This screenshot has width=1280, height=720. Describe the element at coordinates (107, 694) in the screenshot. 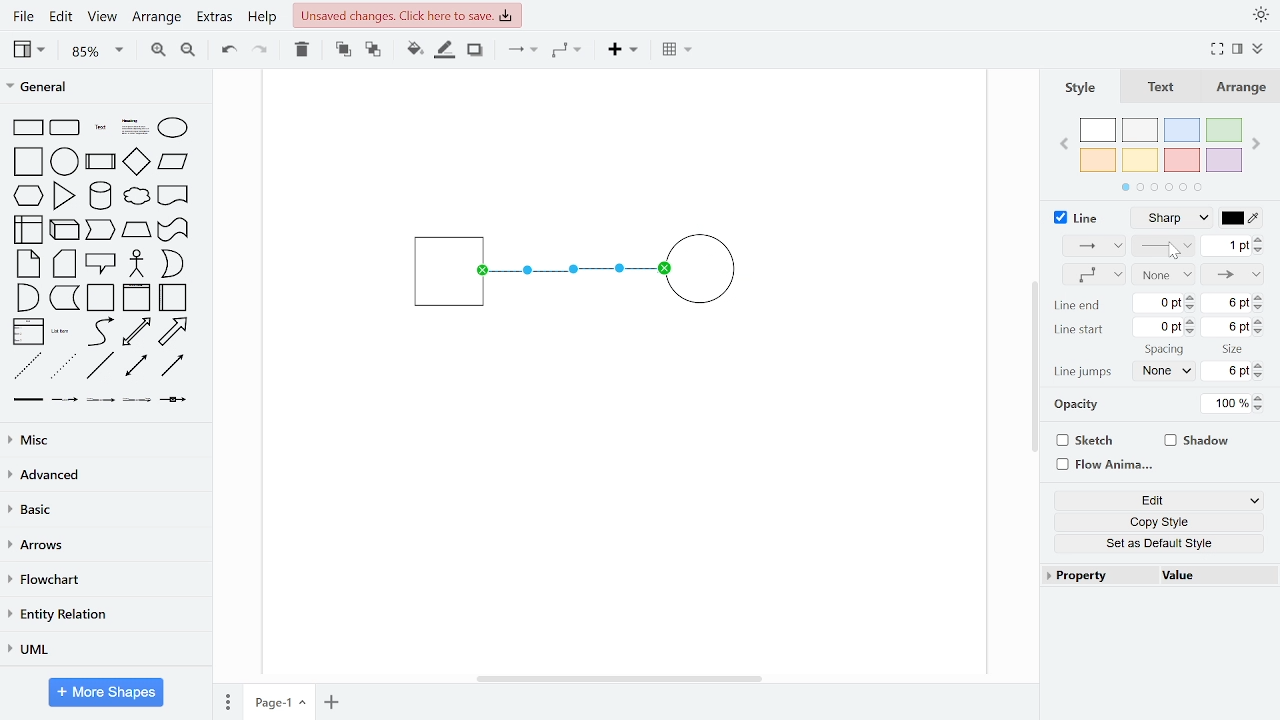

I see `more shapes` at that location.